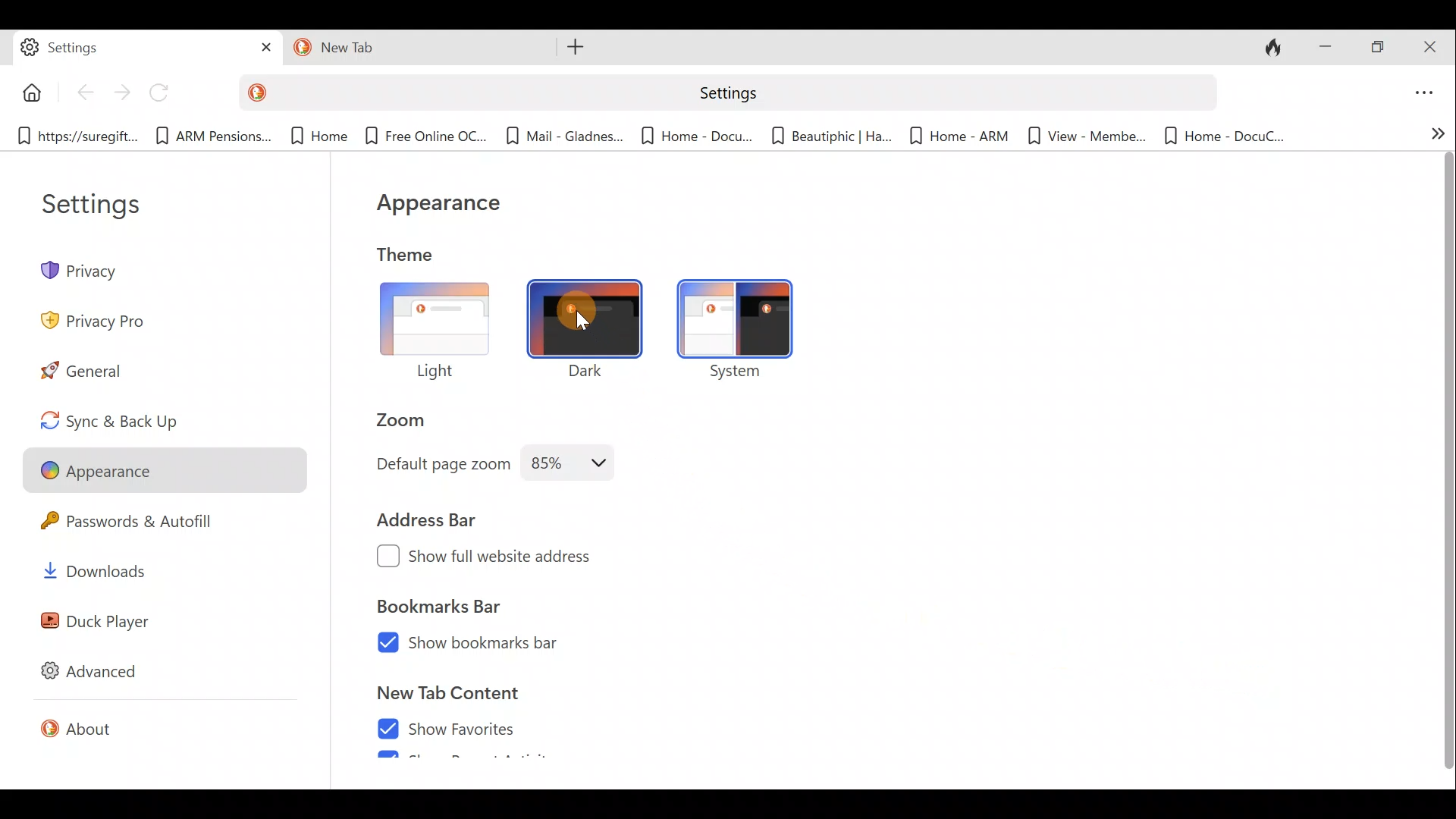 The height and width of the screenshot is (819, 1456). Describe the element at coordinates (1273, 47) in the screenshot. I see `Close tabs and clear data` at that location.